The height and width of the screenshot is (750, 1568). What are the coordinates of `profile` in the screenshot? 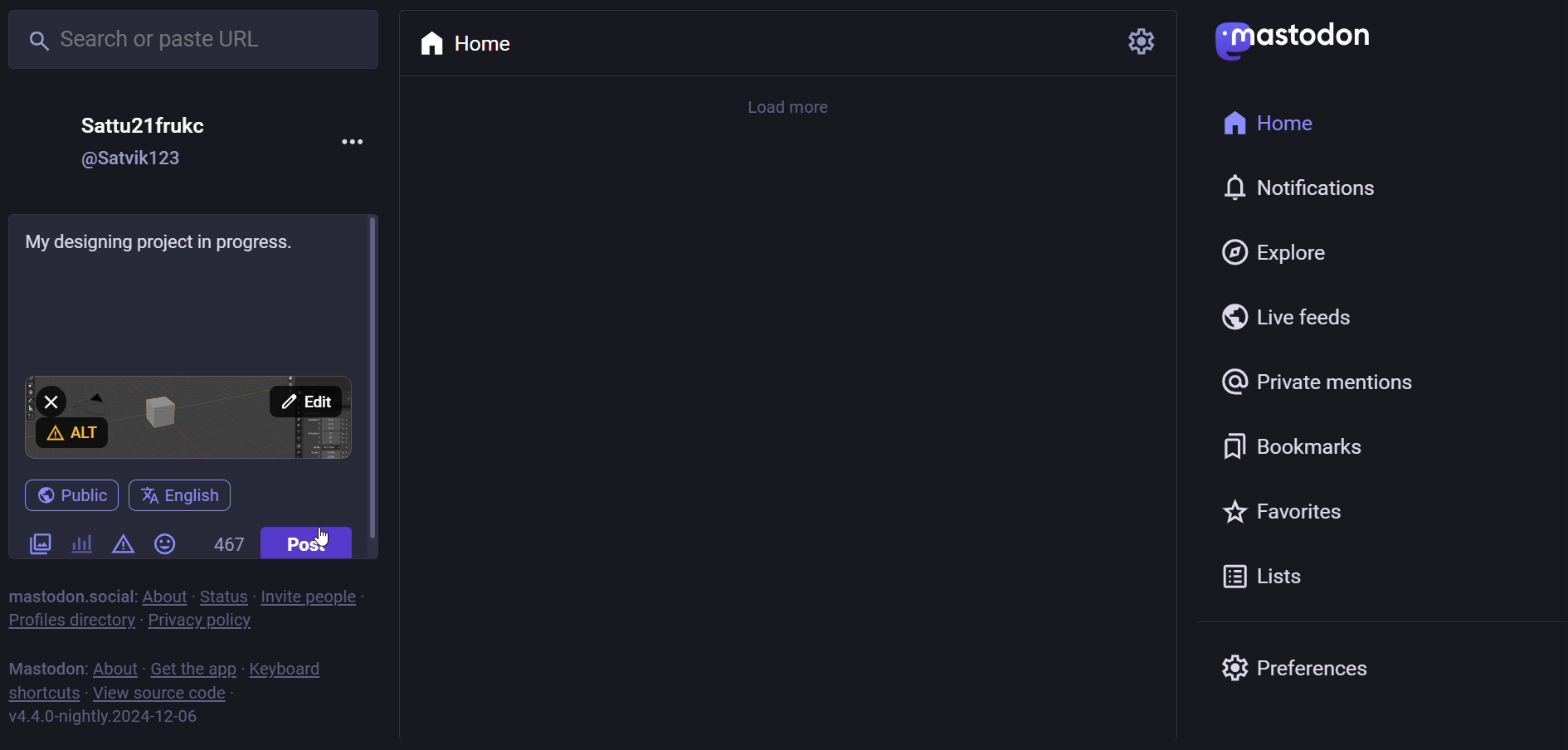 It's located at (68, 622).